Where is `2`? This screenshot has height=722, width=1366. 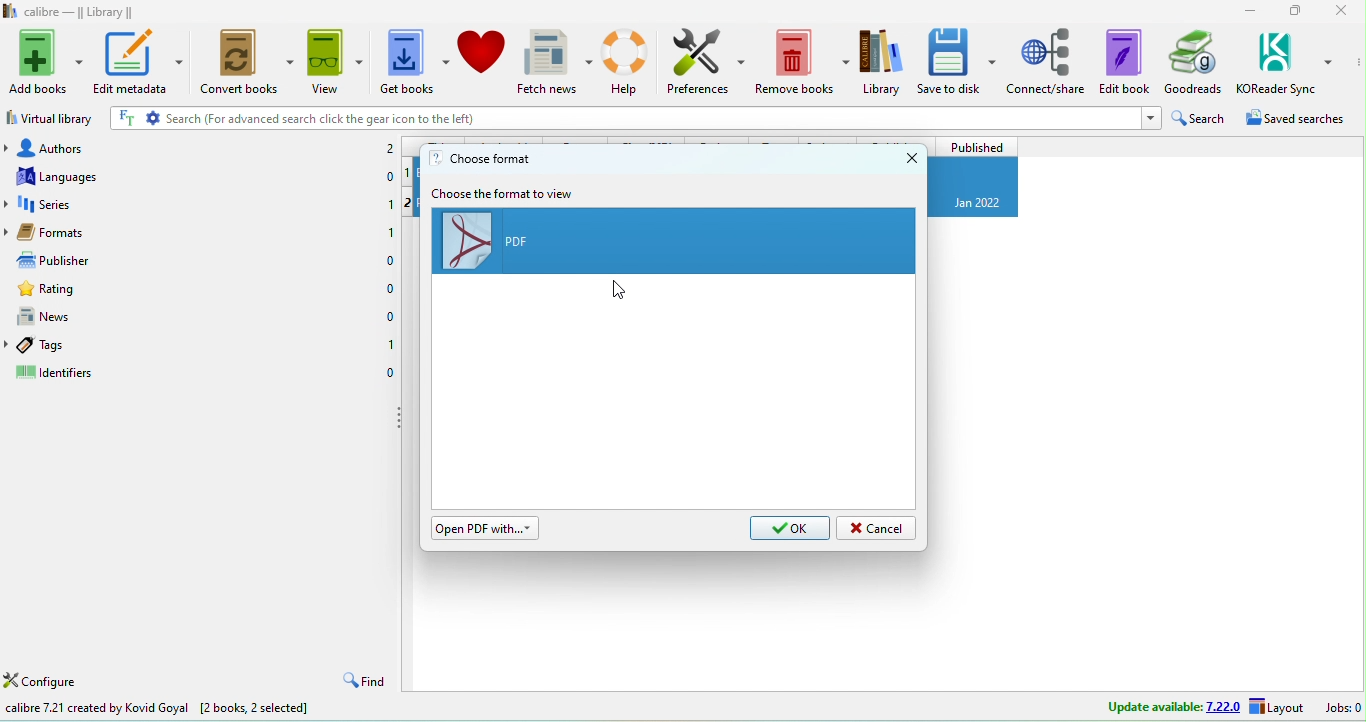 2 is located at coordinates (389, 149).